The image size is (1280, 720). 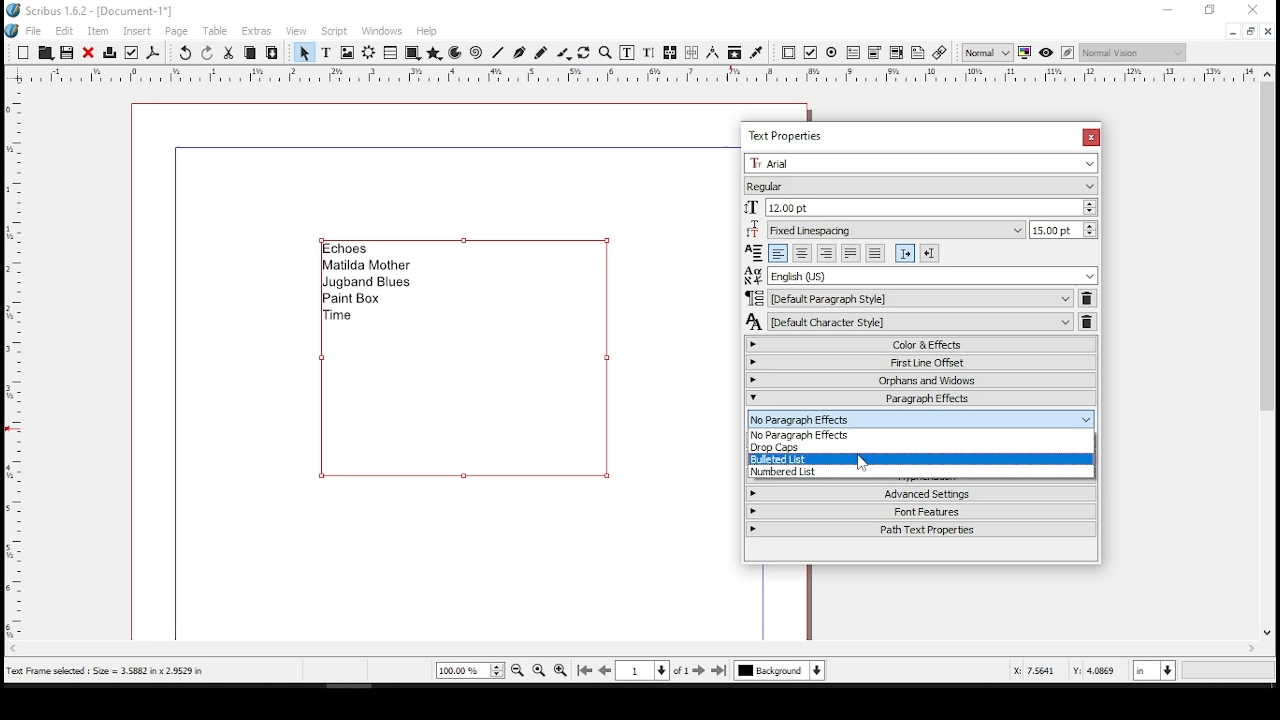 I want to click on close window, so click(x=1089, y=137).